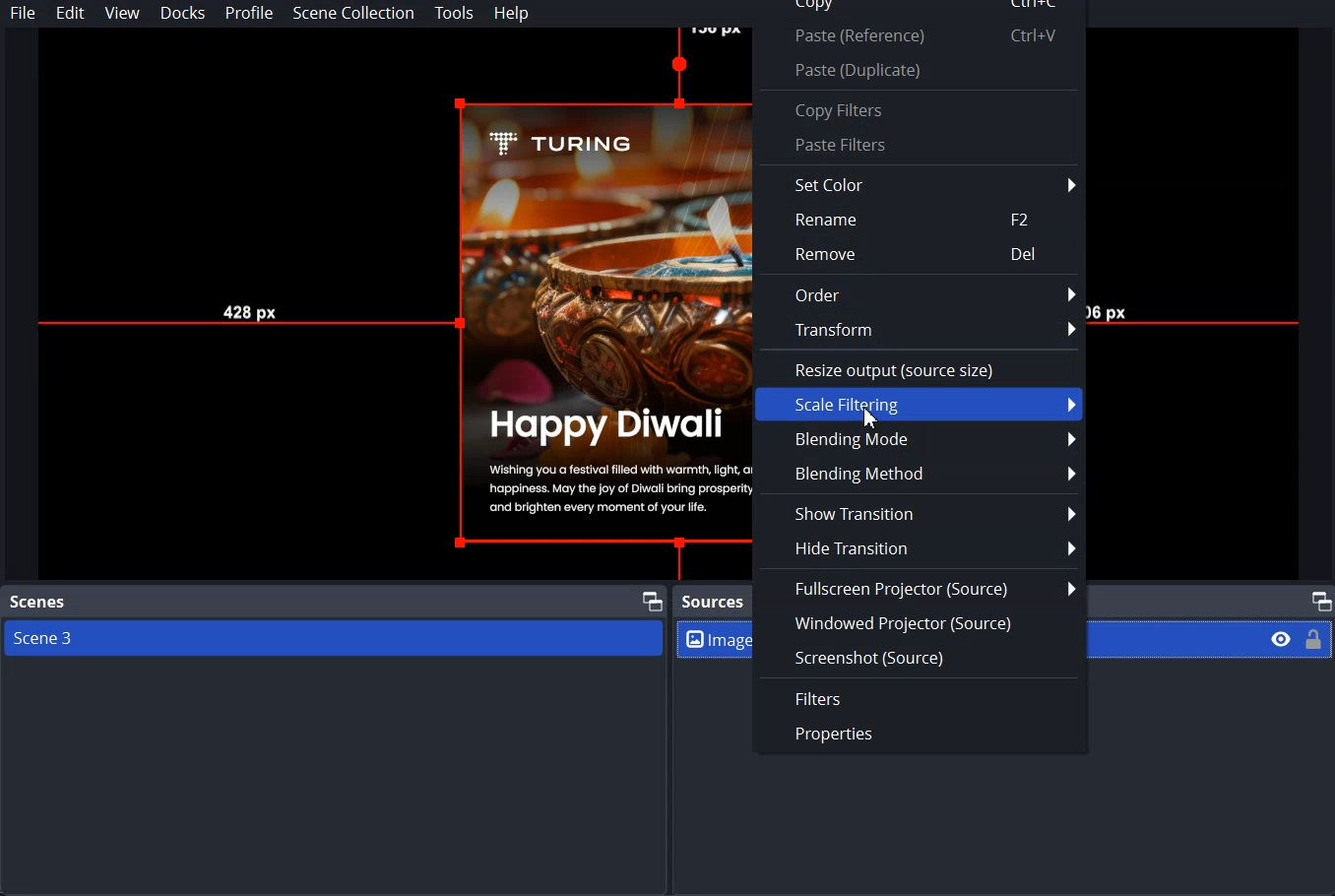 Image resolution: width=1335 pixels, height=896 pixels. What do you see at coordinates (920, 473) in the screenshot?
I see `Blending method` at bounding box center [920, 473].